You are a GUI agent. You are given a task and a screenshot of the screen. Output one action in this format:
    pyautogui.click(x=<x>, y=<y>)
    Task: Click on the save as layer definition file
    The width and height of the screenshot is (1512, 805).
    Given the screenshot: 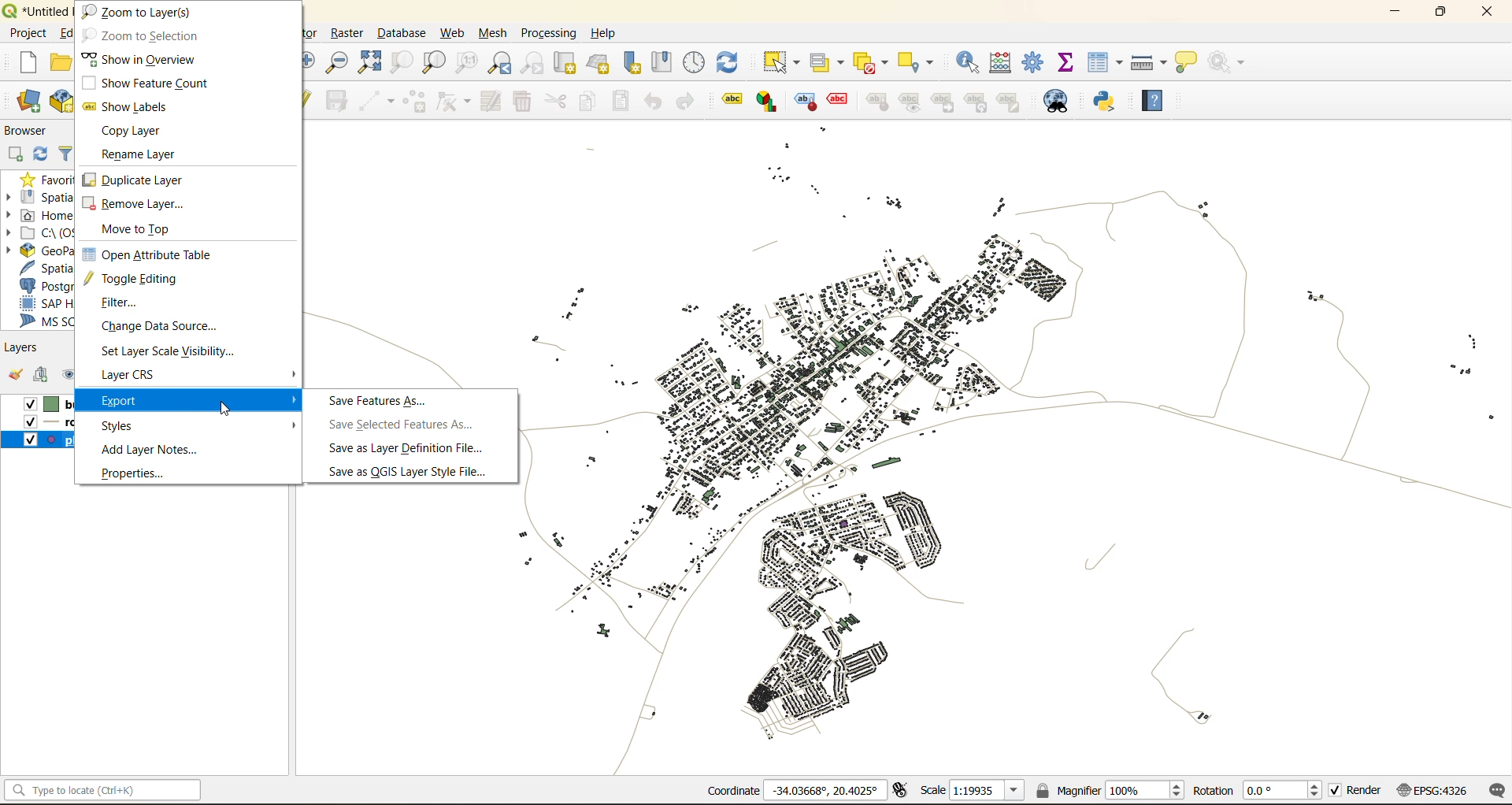 What is the action you would take?
    pyautogui.click(x=406, y=451)
    